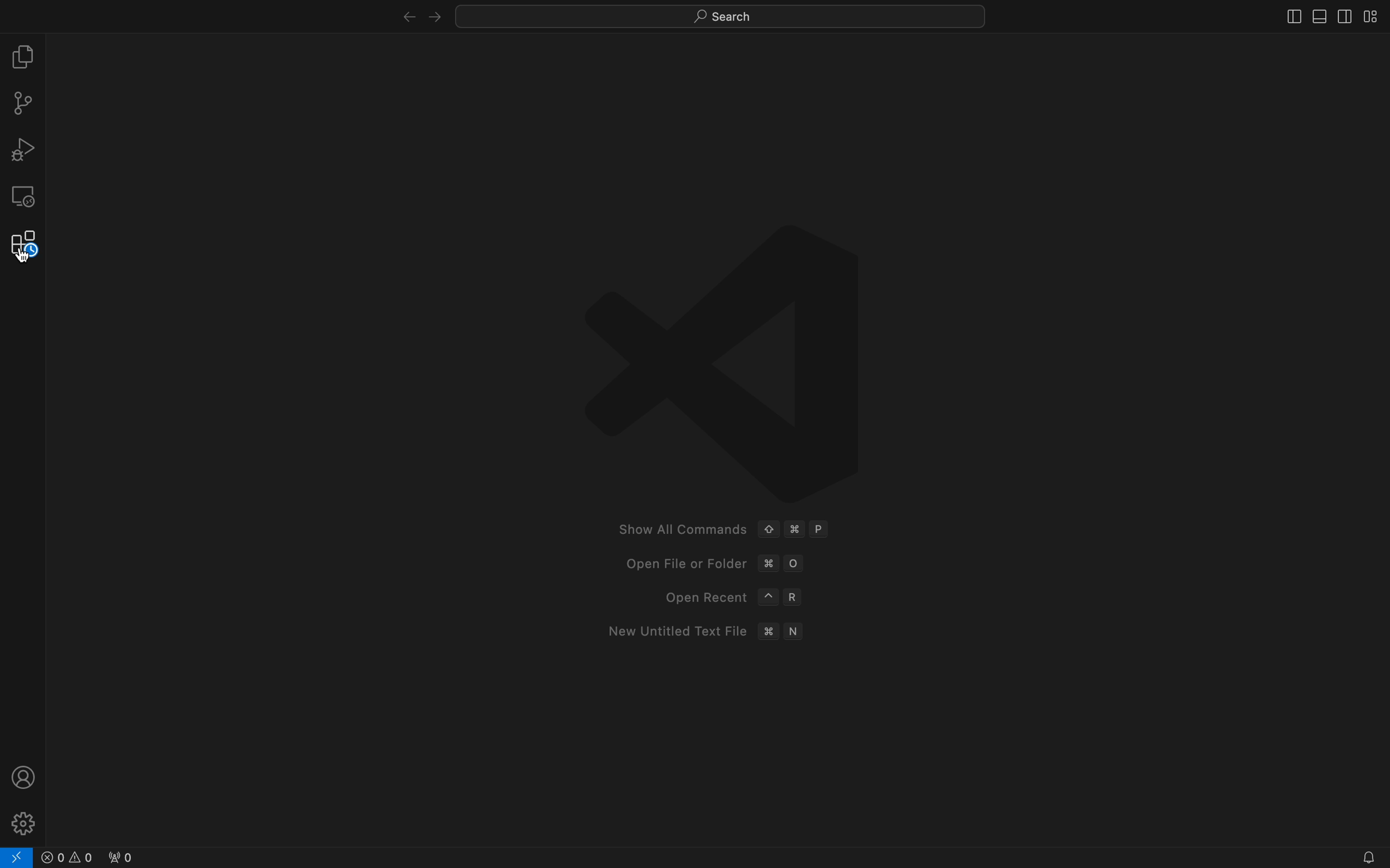 The width and height of the screenshot is (1390, 868). I want to click on error logs, so click(107, 855).